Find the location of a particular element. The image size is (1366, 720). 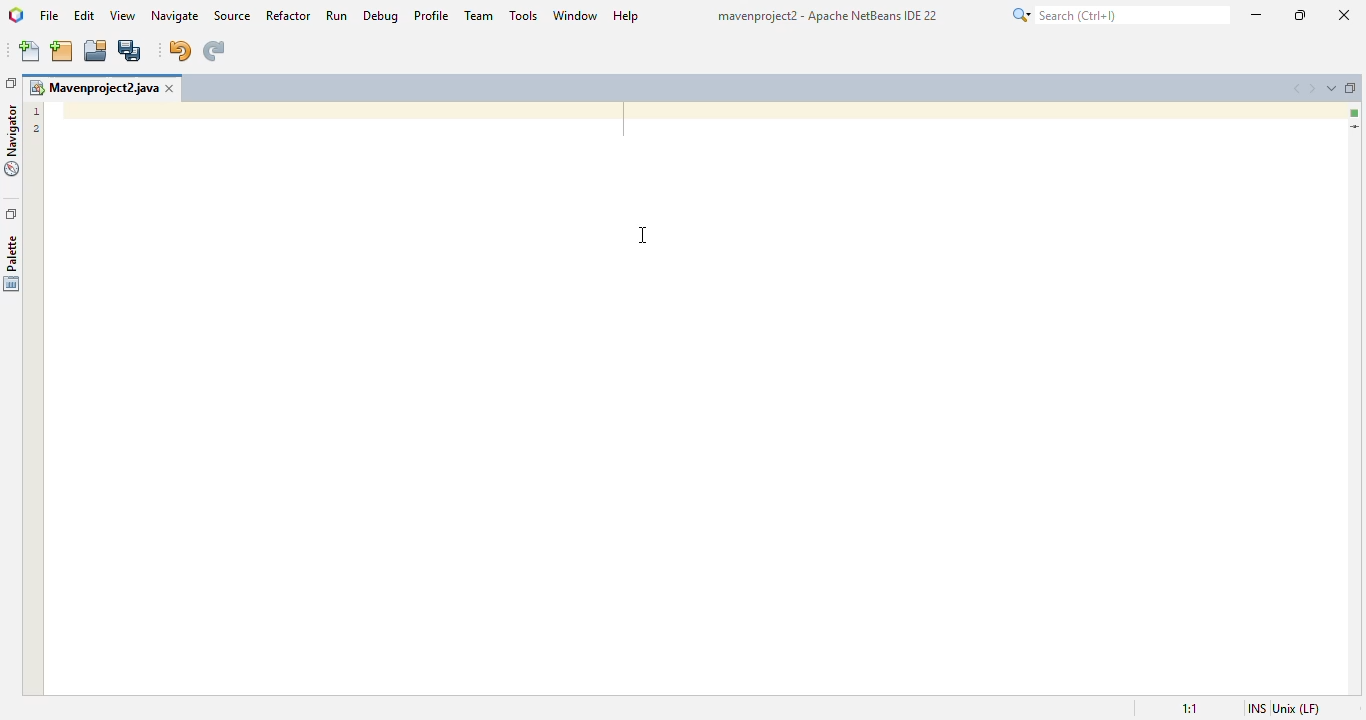

cursor is located at coordinates (642, 235).